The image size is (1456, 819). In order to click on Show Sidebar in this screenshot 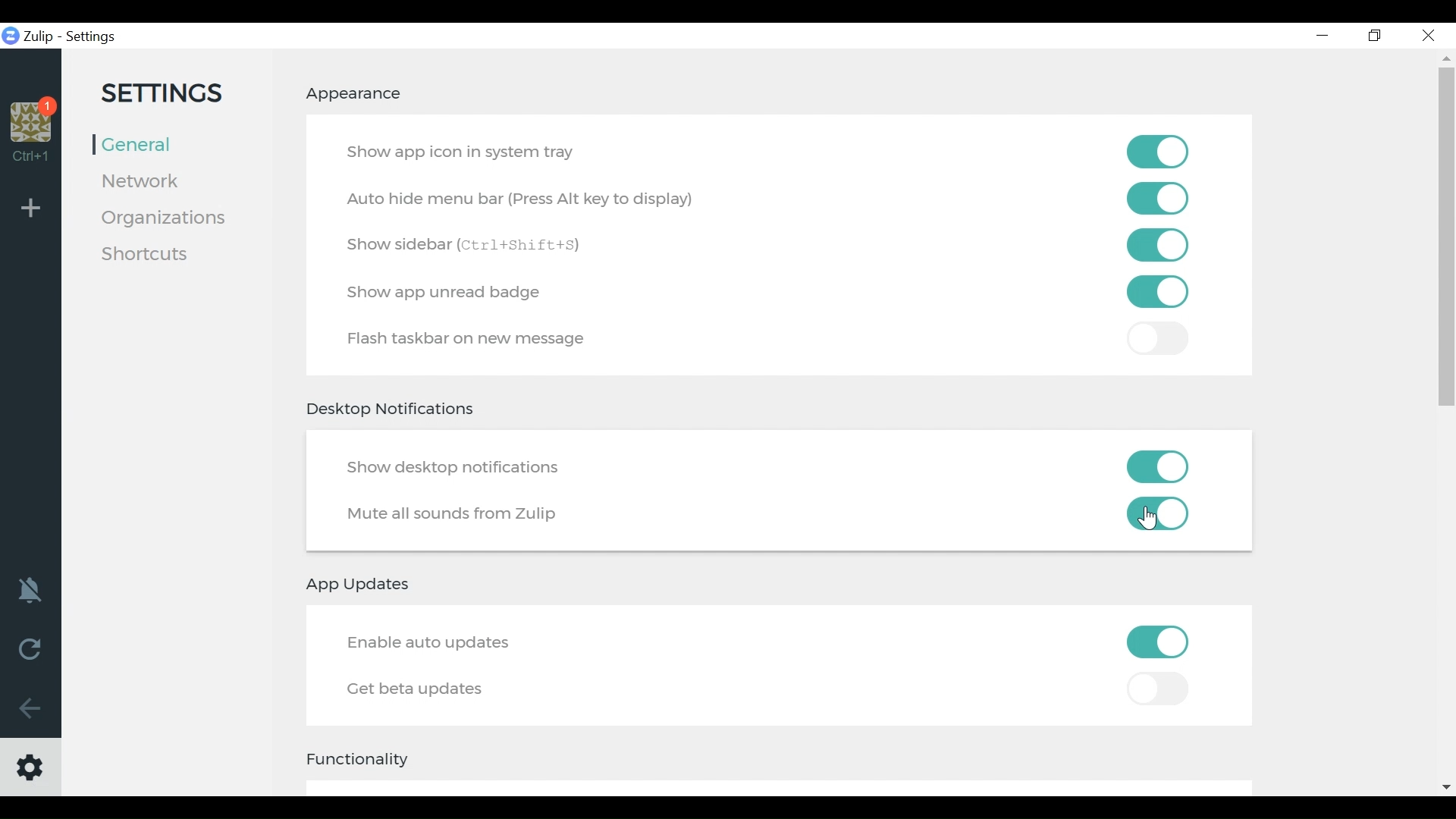, I will do `click(475, 245)`.